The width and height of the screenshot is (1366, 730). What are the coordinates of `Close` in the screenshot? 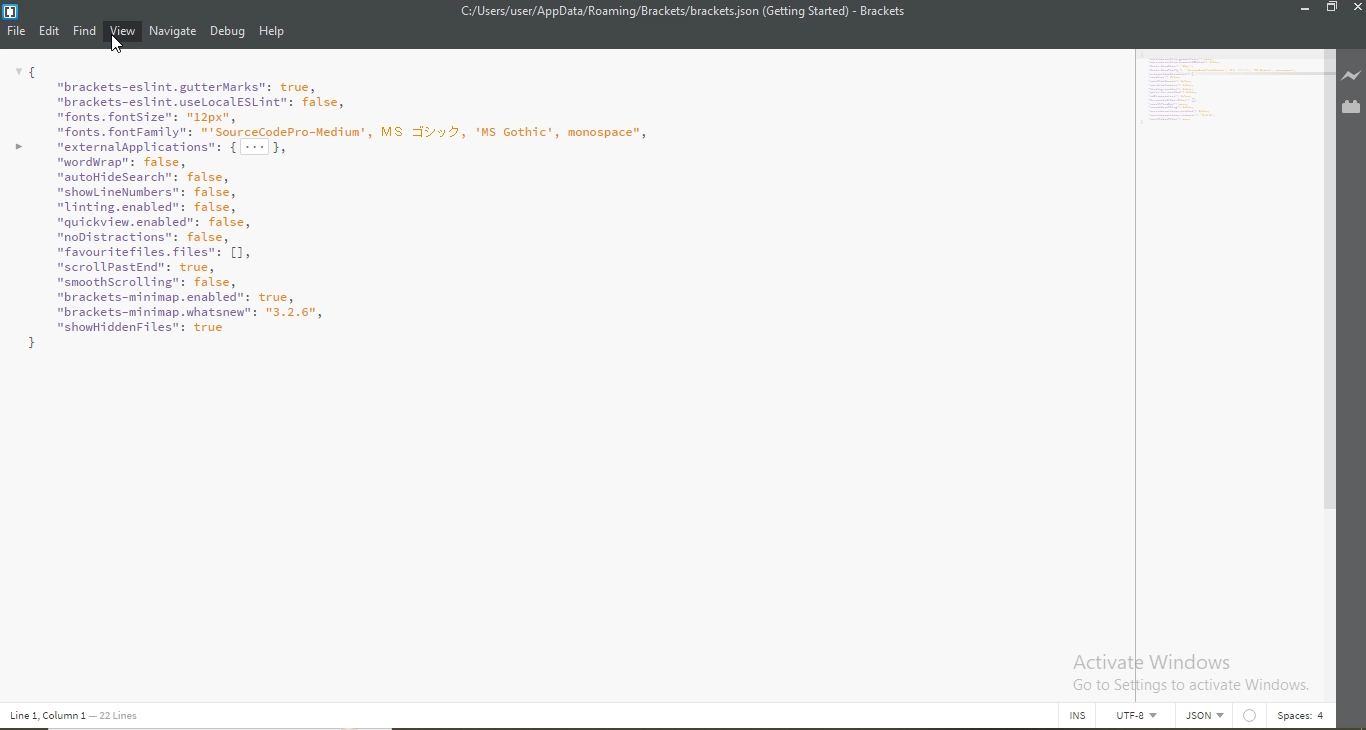 It's located at (1355, 10).